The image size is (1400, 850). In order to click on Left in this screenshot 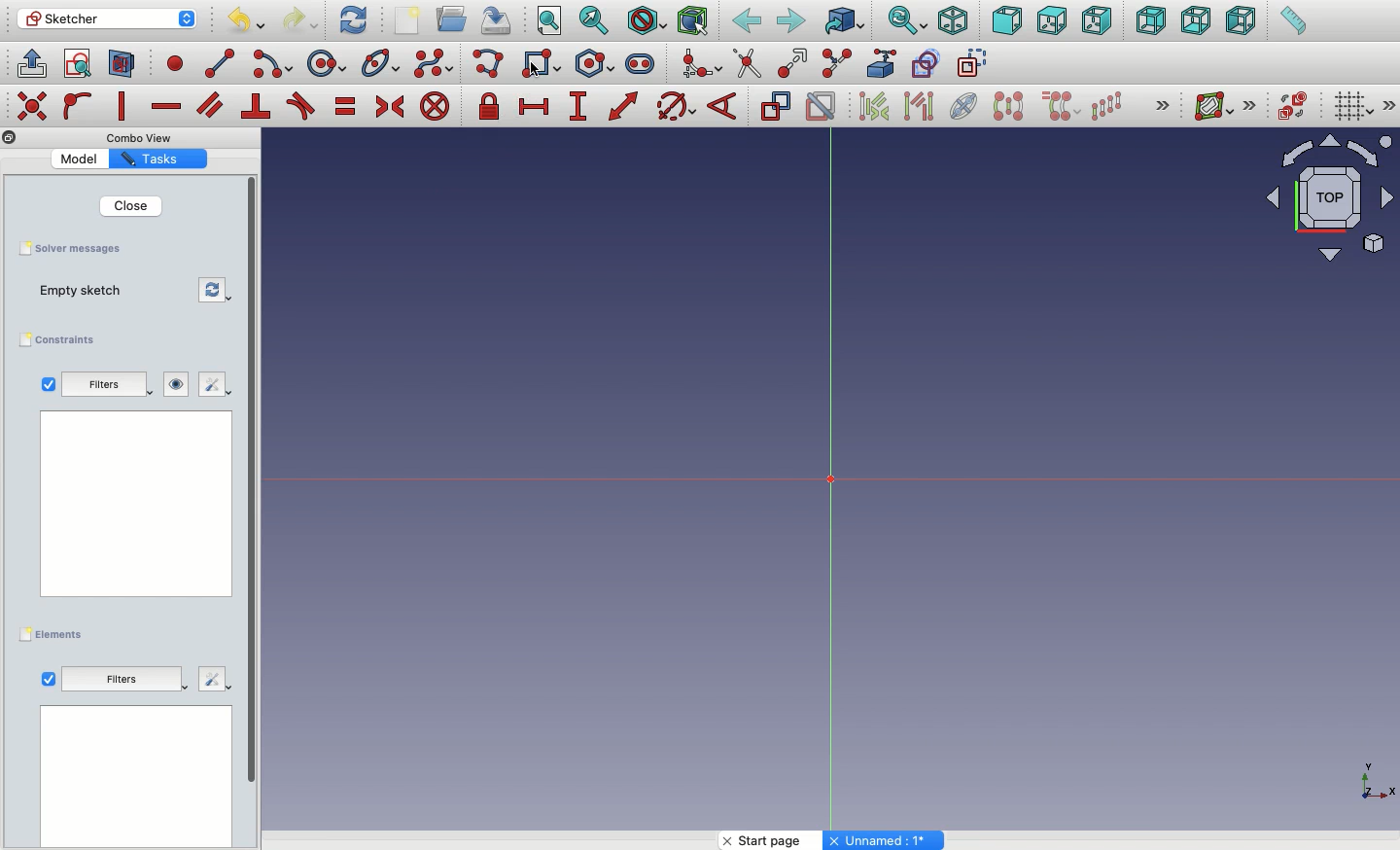, I will do `click(1240, 21)`.